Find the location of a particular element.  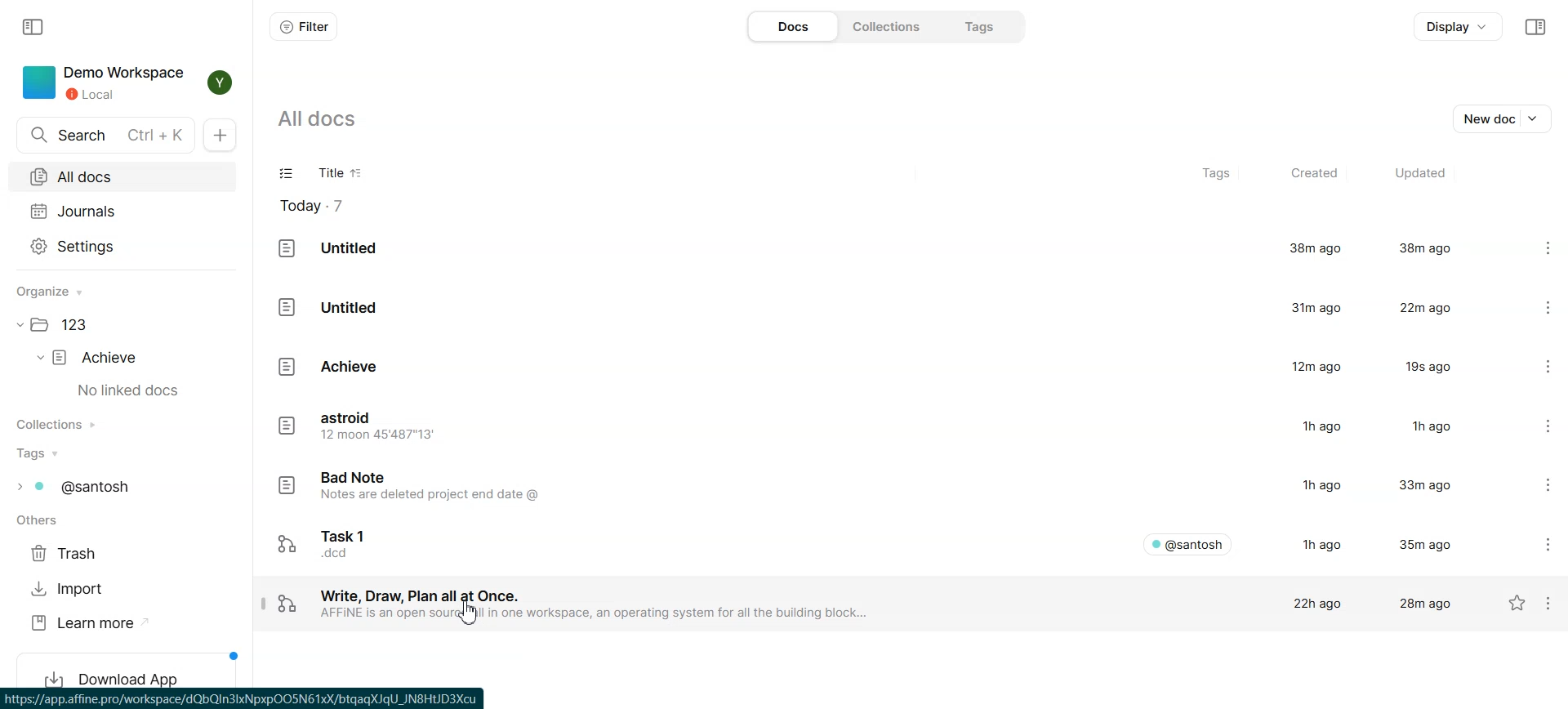

Tags is located at coordinates (975, 26).